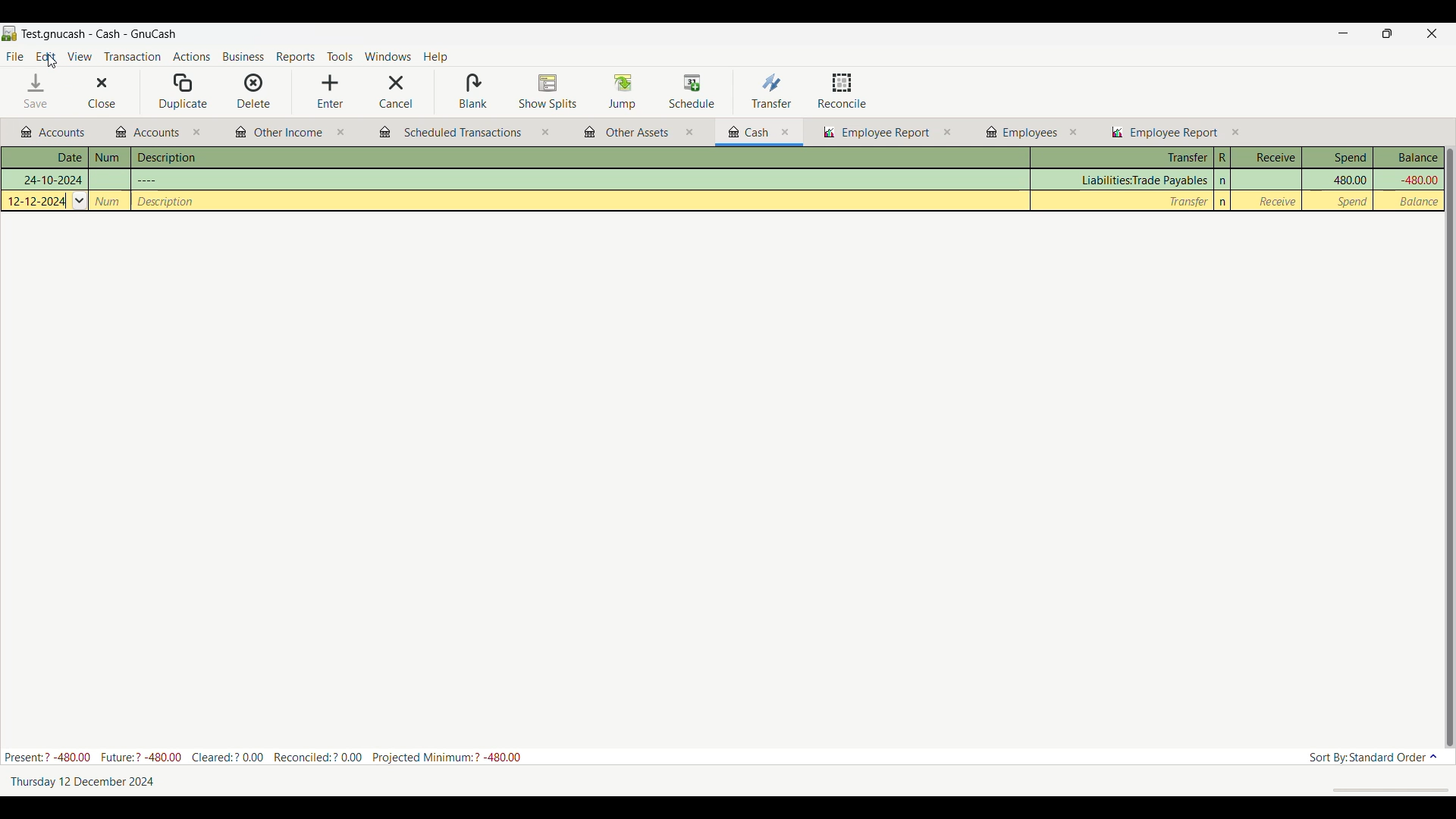  I want to click on Reports menu, so click(296, 57).